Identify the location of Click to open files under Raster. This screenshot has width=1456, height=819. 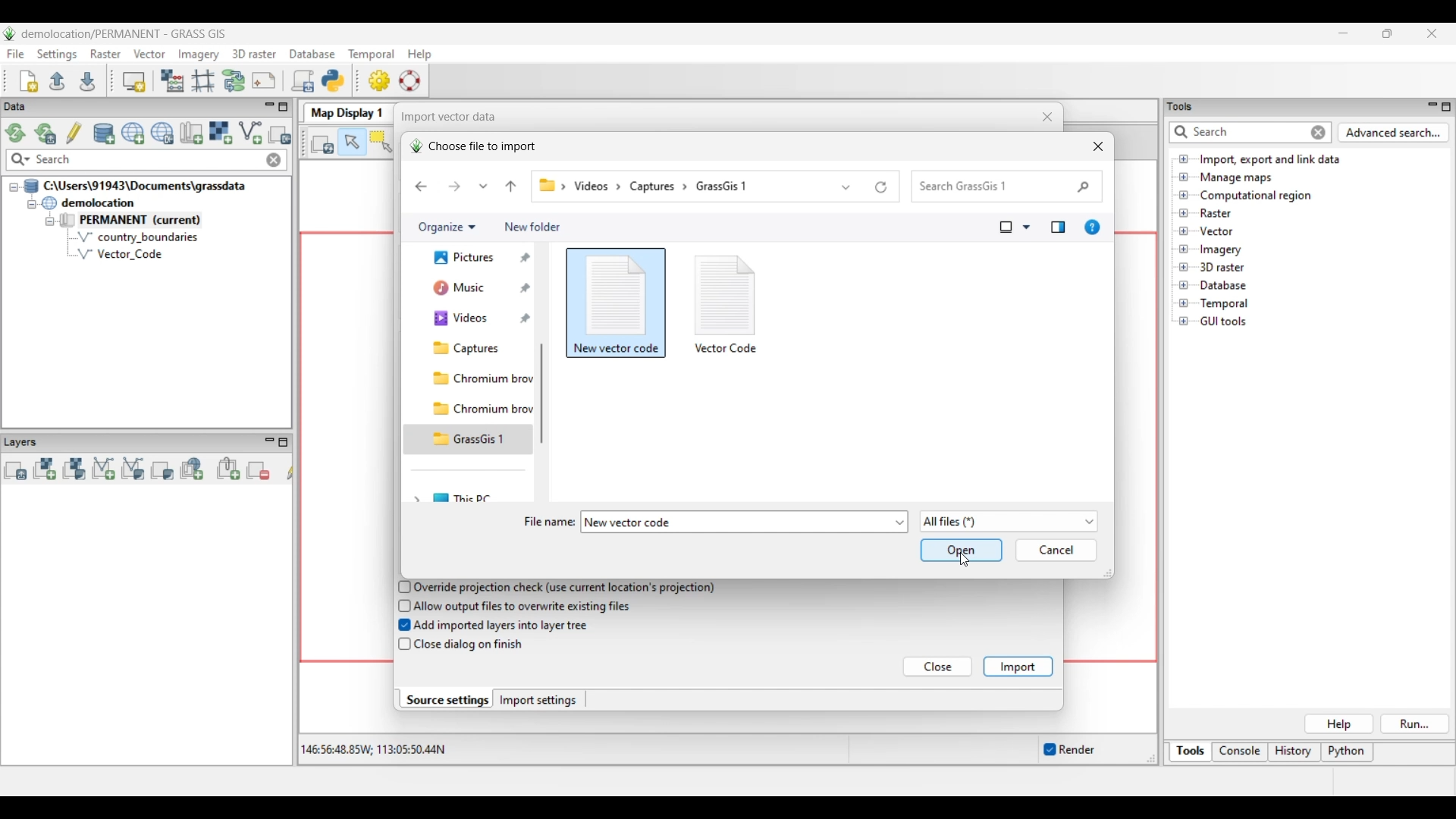
(1184, 212).